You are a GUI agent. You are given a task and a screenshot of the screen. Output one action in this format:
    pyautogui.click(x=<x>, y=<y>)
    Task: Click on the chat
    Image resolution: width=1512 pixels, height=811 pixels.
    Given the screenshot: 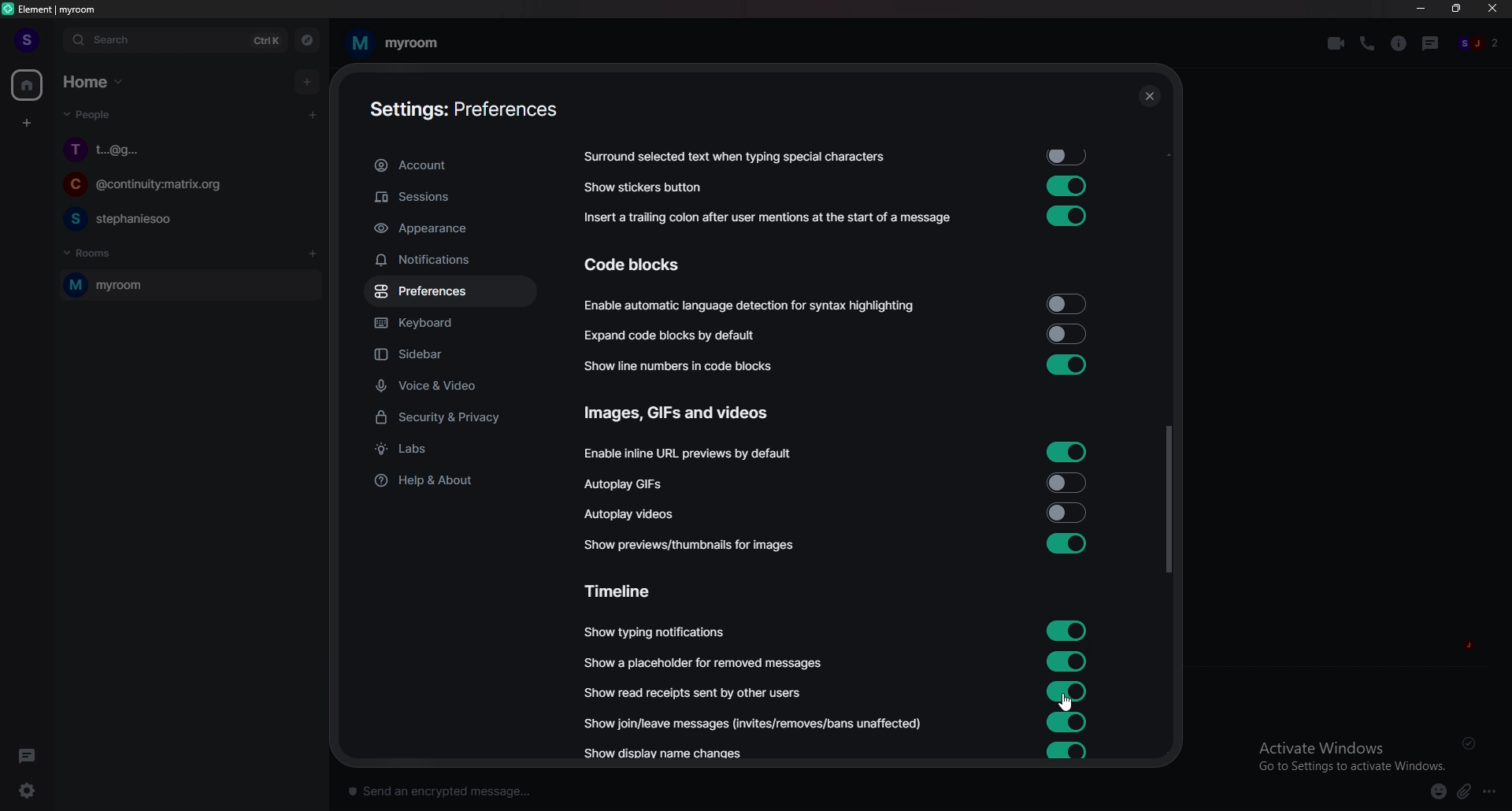 What is the action you would take?
    pyautogui.click(x=188, y=149)
    